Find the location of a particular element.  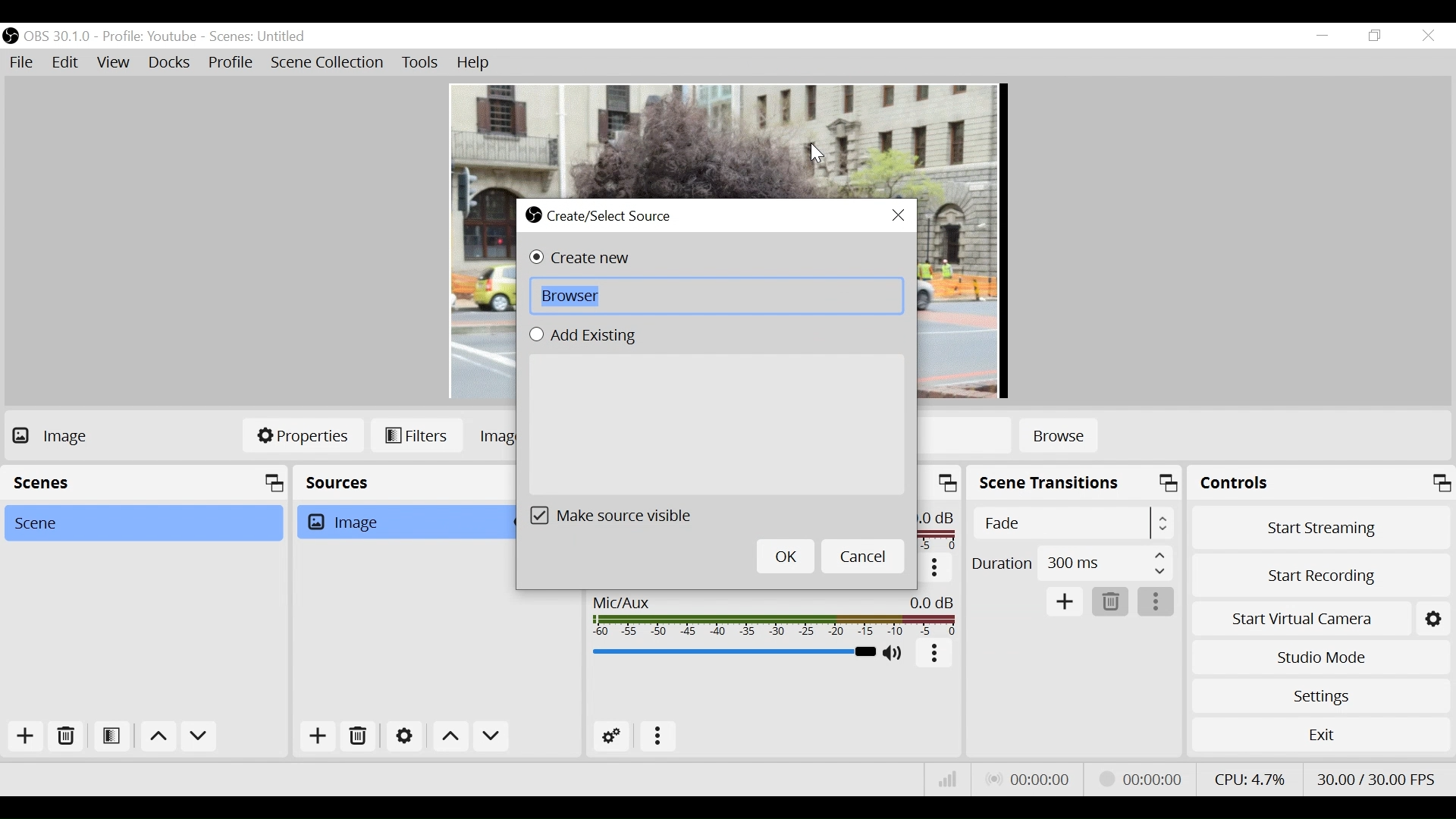

(un)select Add Existing is located at coordinates (581, 335).